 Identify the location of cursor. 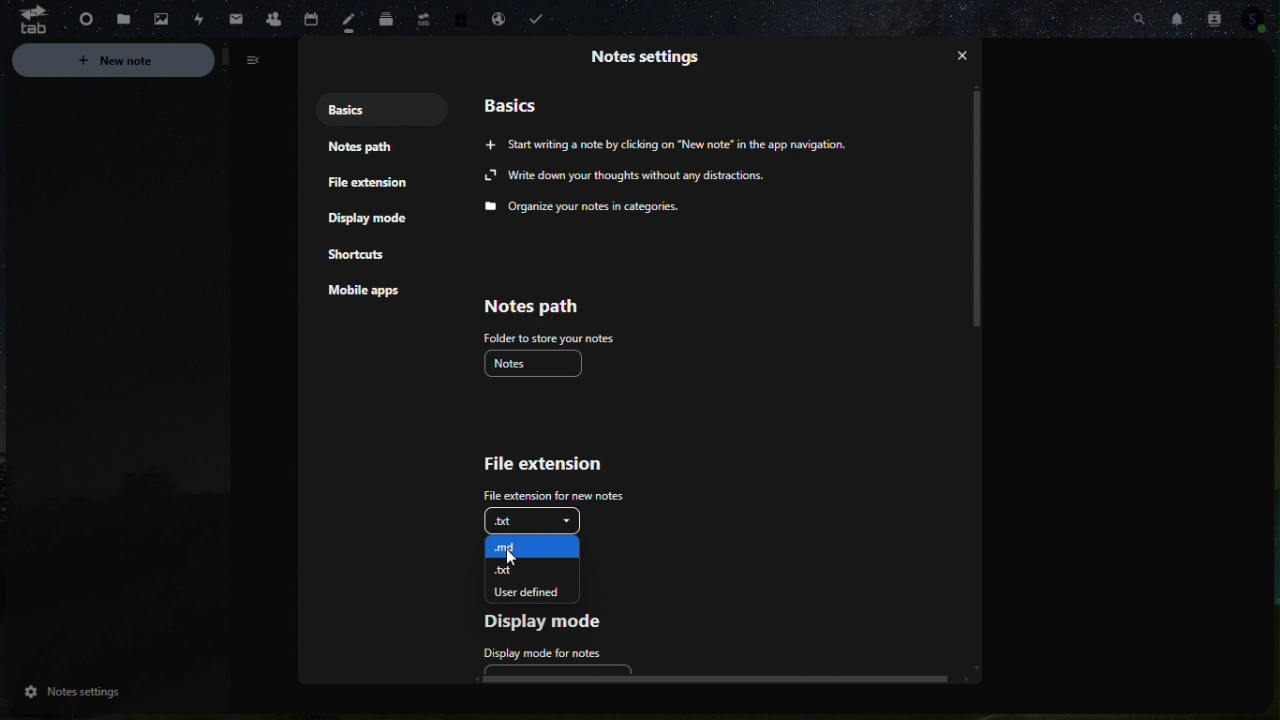
(515, 559).